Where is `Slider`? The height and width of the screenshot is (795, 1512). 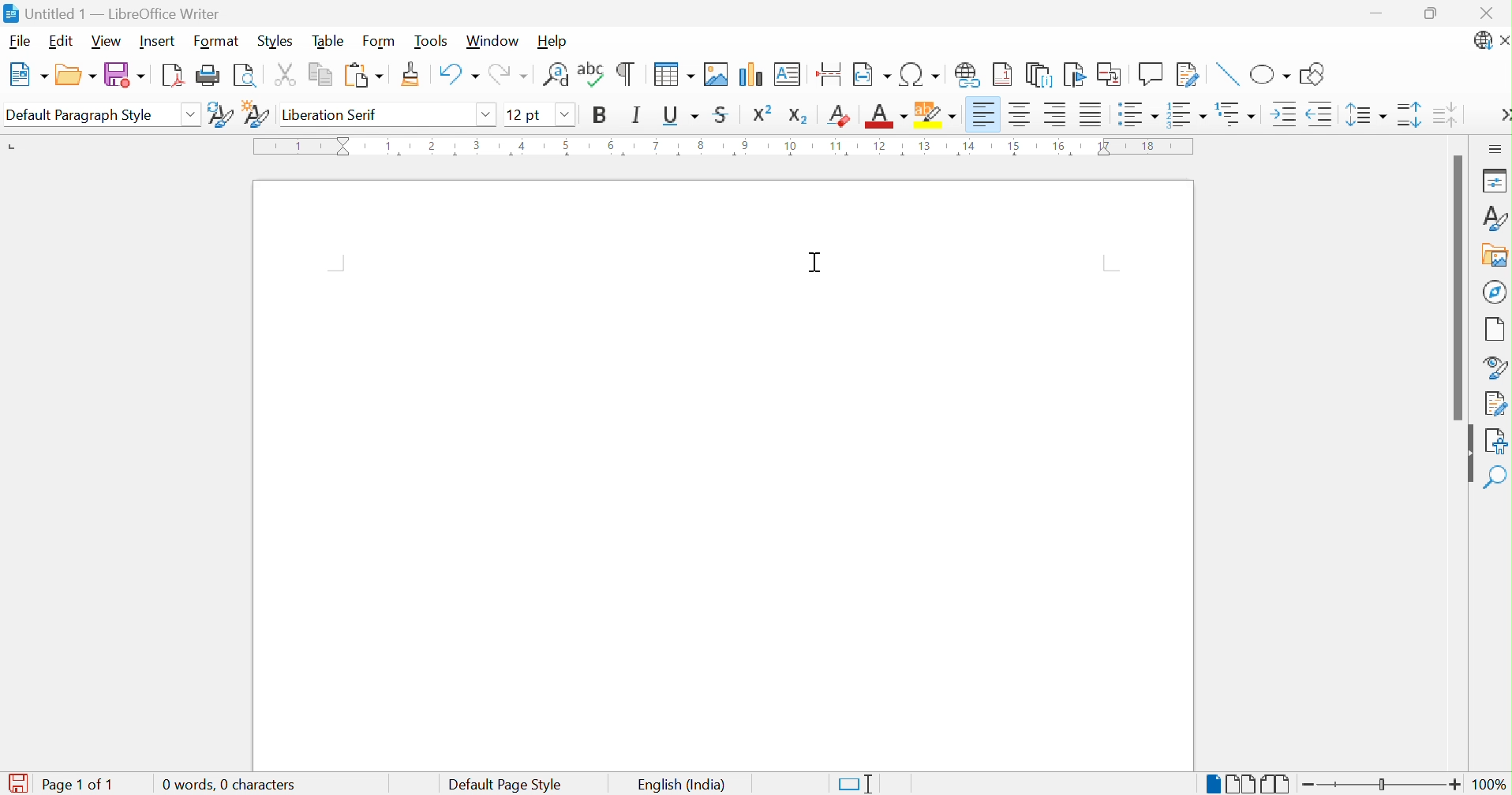
Slider is located at coordinates (1382, 784).